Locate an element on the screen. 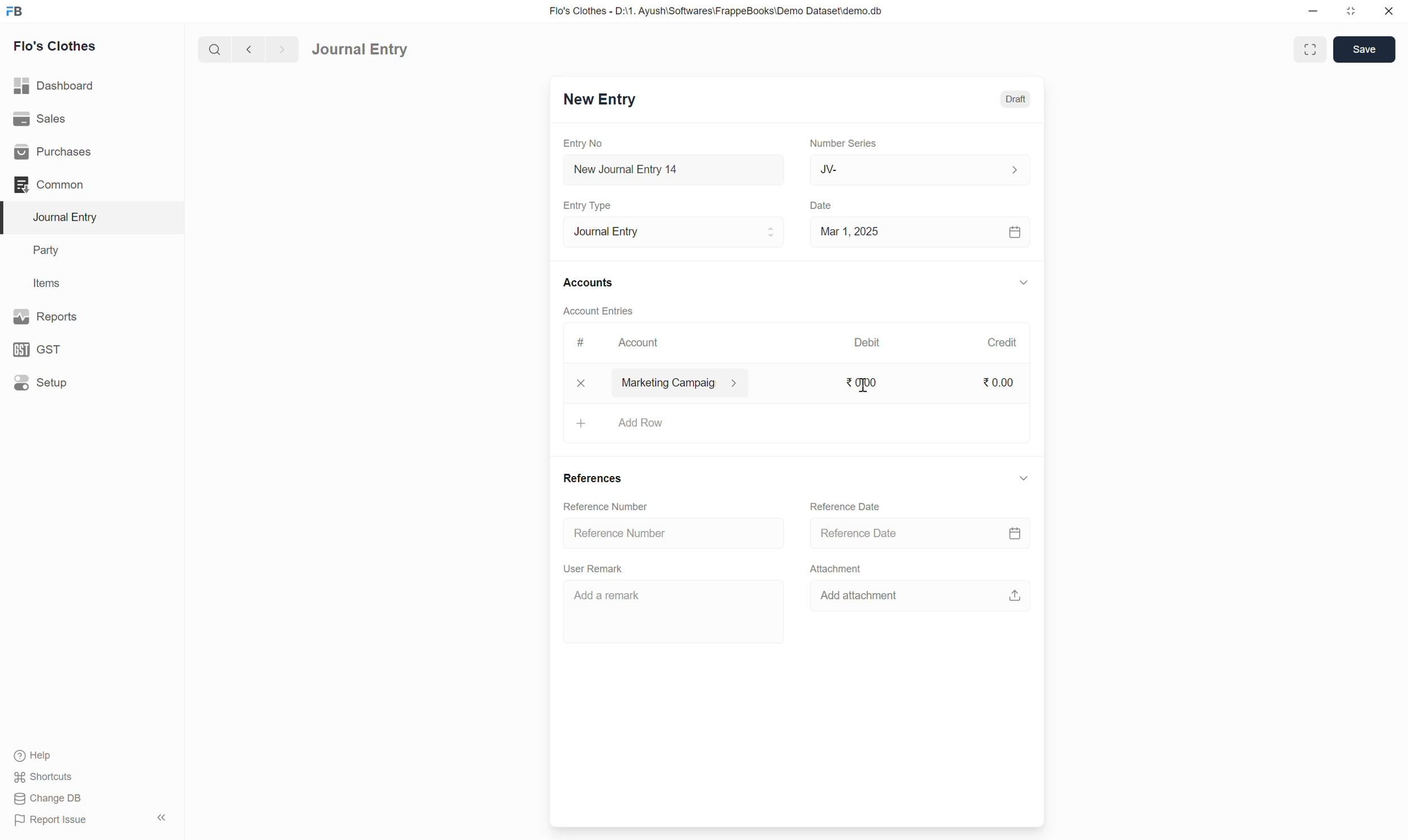 The width and height of the screenshot is (1408, 840). Mar 1, 2025 is located at coordinates (850, 231).